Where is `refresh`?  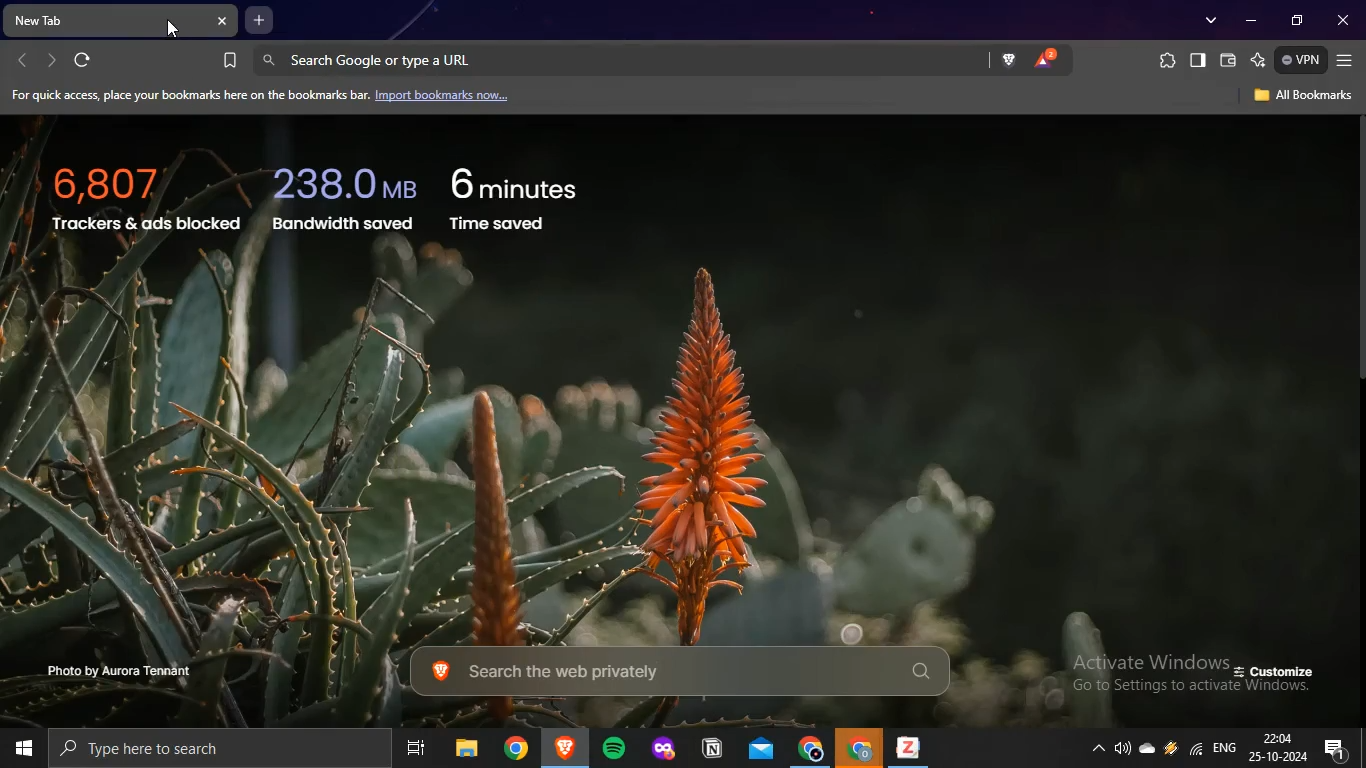
refresh is located at coordinates (84, 59).